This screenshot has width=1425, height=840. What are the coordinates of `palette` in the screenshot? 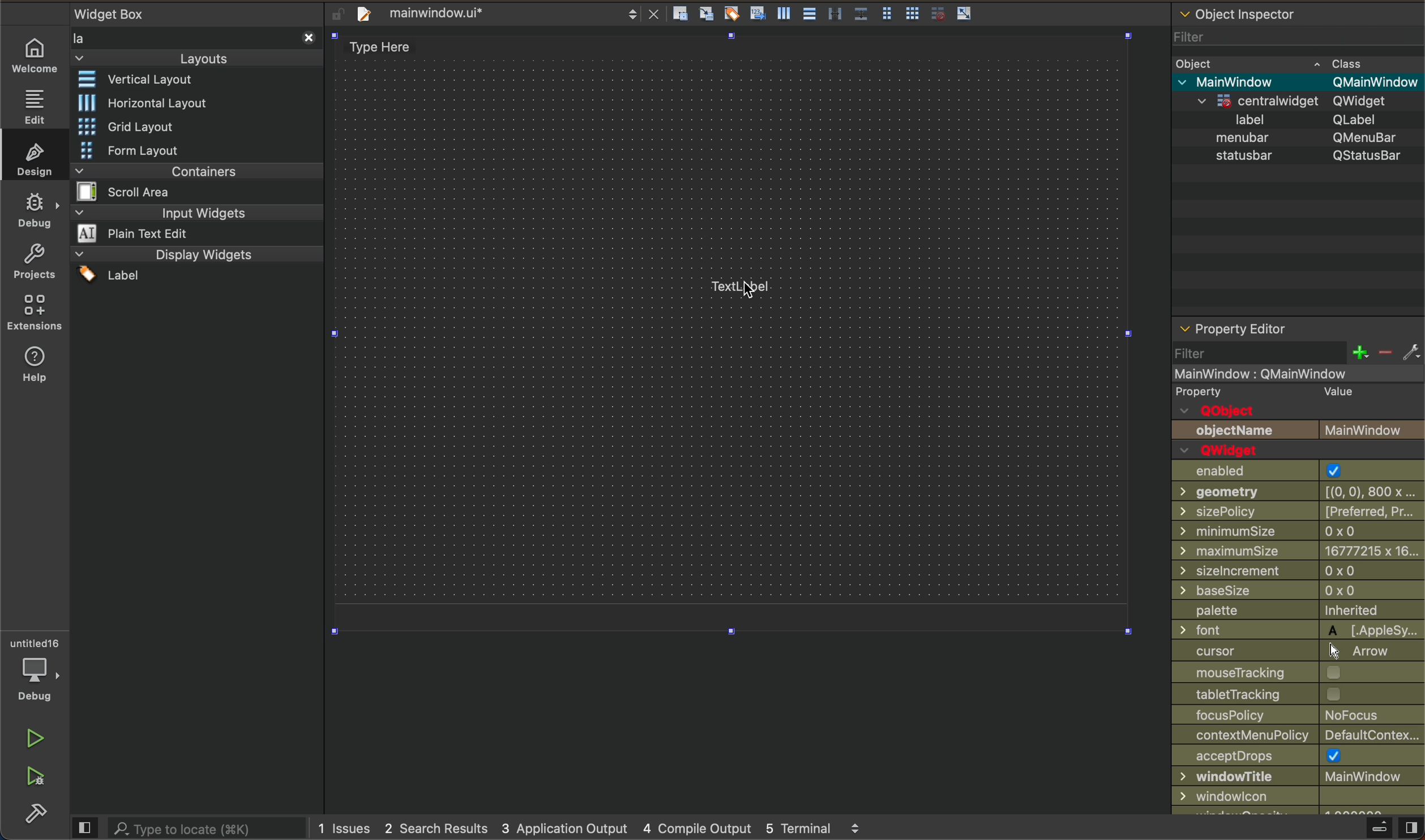 It's located at (1290, 611).